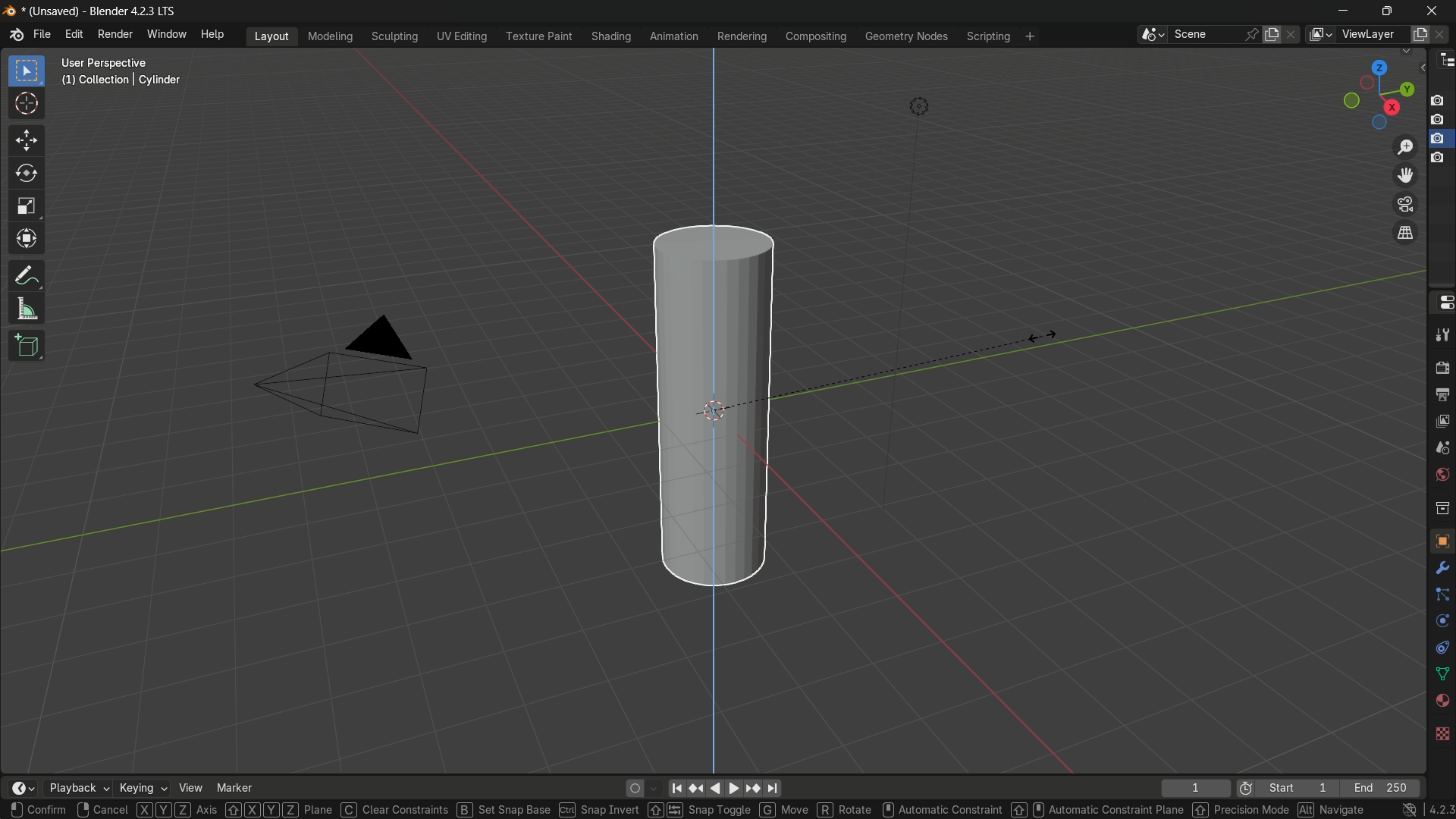 The width and height of the screenshot is (1456, 819). What do you see at coordinates (77, 788) in the screenshot?
I see `playback` at bounding box center [77, 788].